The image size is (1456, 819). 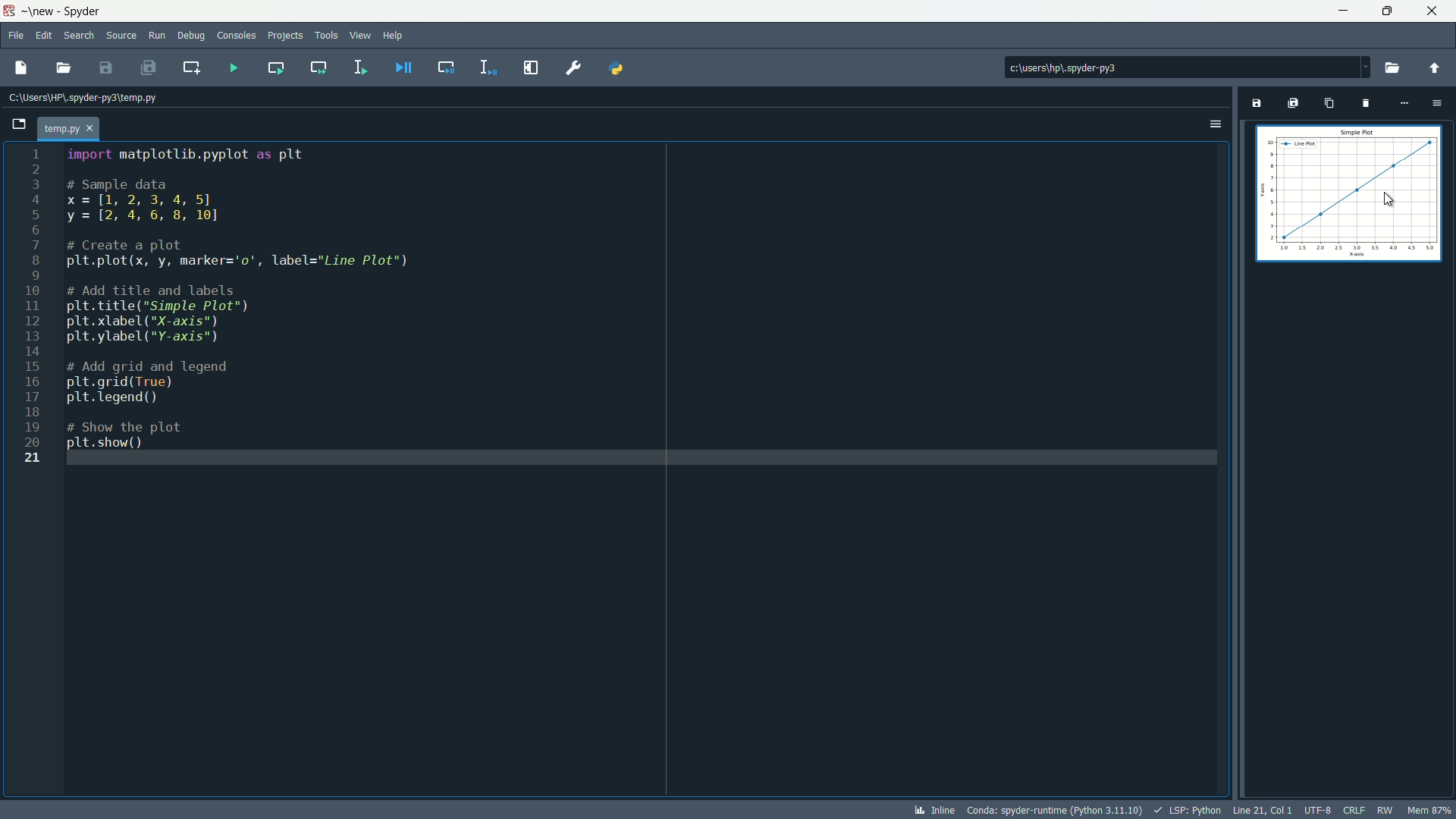 What do you see at coordinates (326, 35) in the screenshot?
I see `tools menu` at bounding box center [326, 35].